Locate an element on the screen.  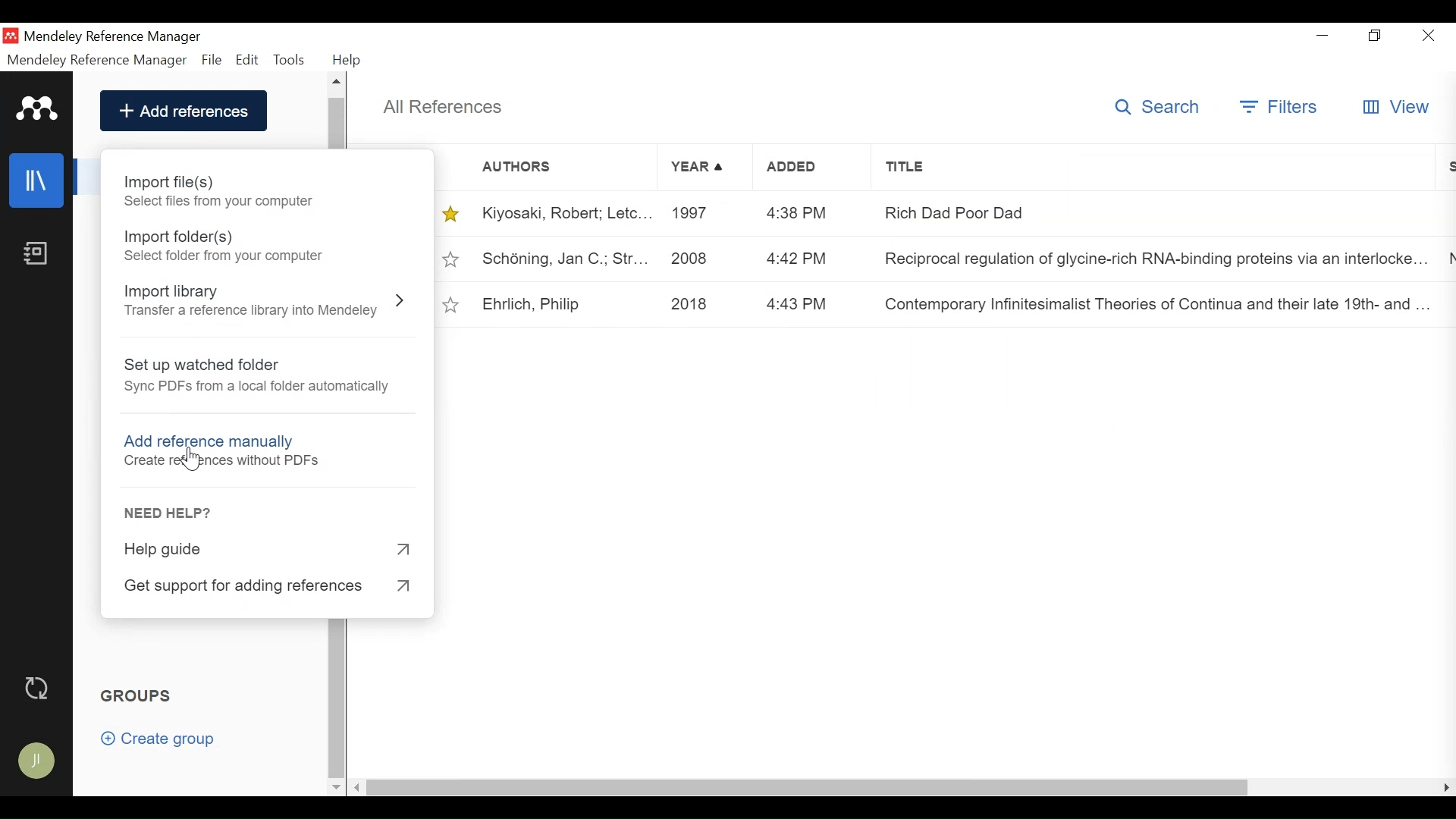
Edit is located at coordinates (248, 59).